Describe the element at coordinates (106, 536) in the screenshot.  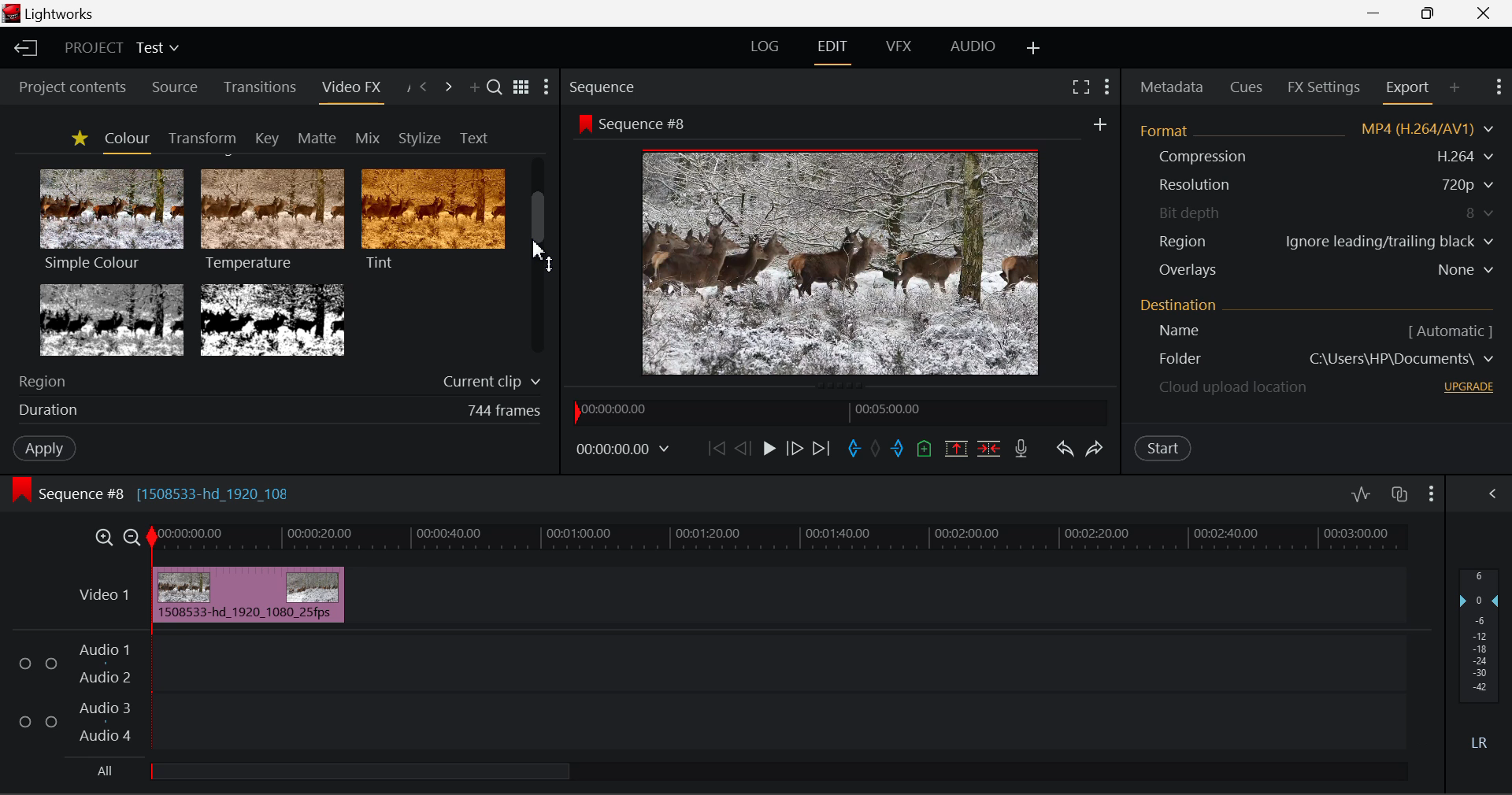
I see `Timeline Zoom In` at that location.